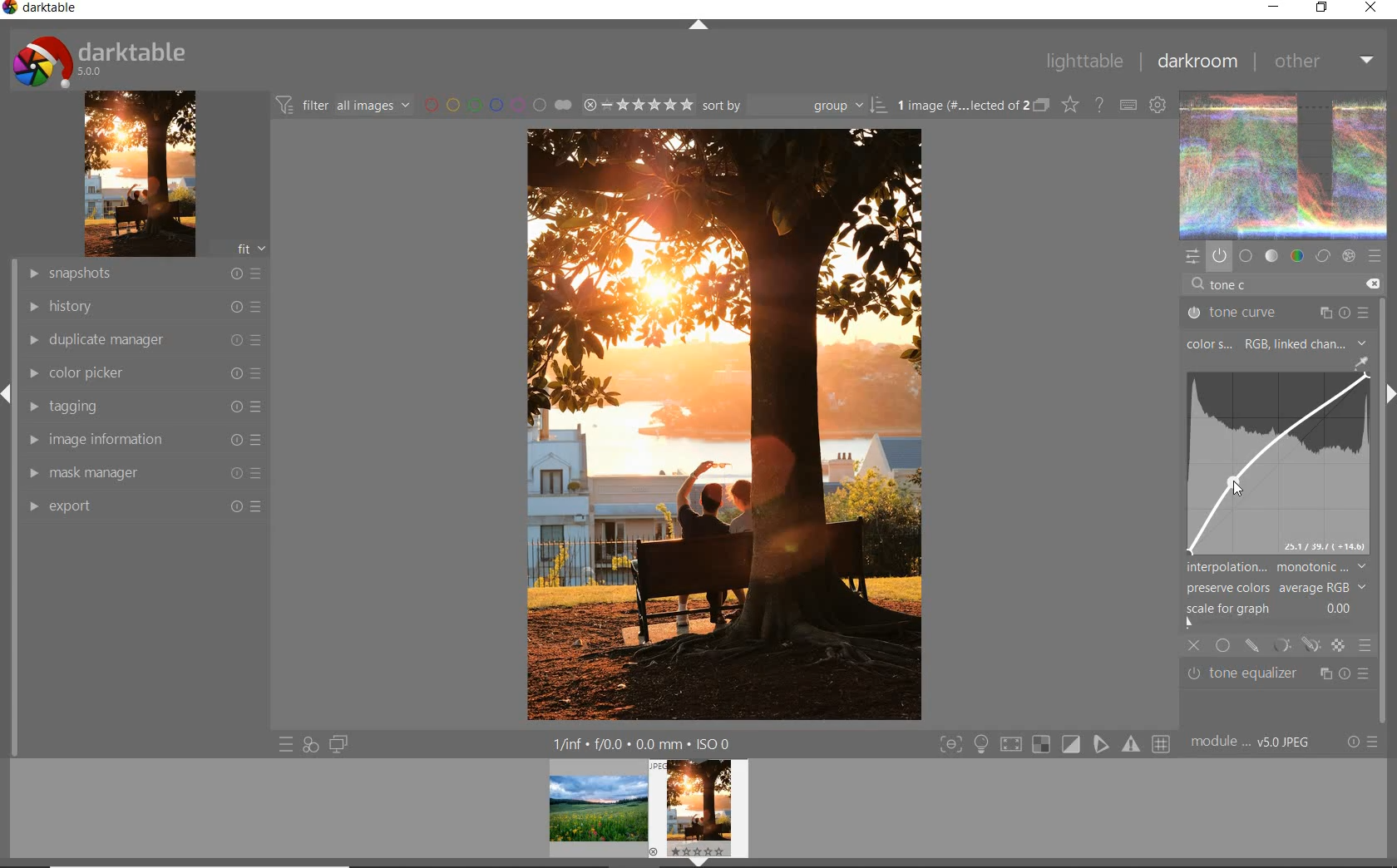 The width and height of the screenshot is (1397, 868). What do you see at coordinates (1365, 644) in the screenshot?
I see `blending options` at bounding box center [1365, 644].